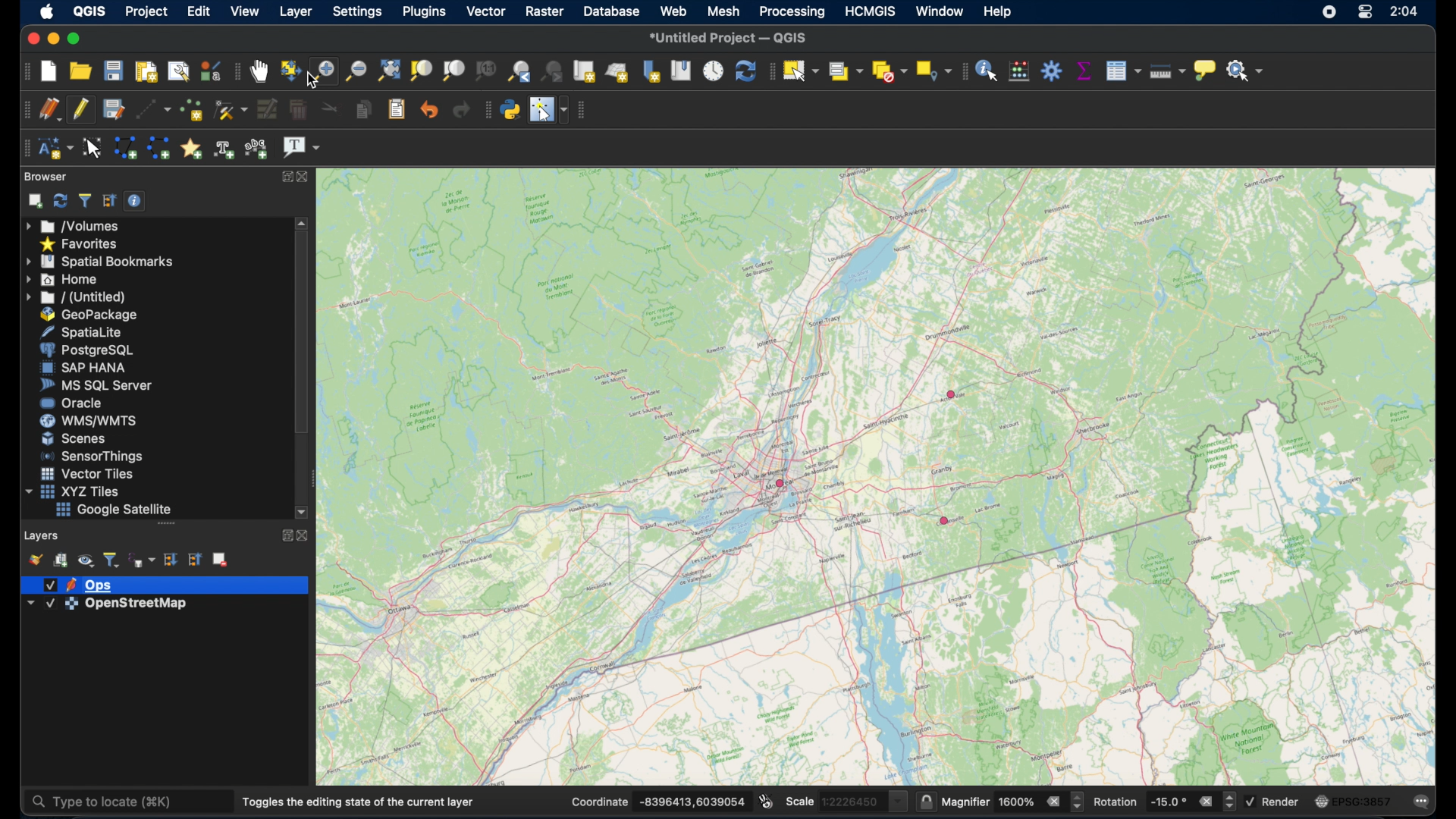 The width and height of the screenshot is (1456, 819). What do you see at coordinates (84, 560) in the screenshot?
I see `manage map themes` at bounding box center [84, 560].